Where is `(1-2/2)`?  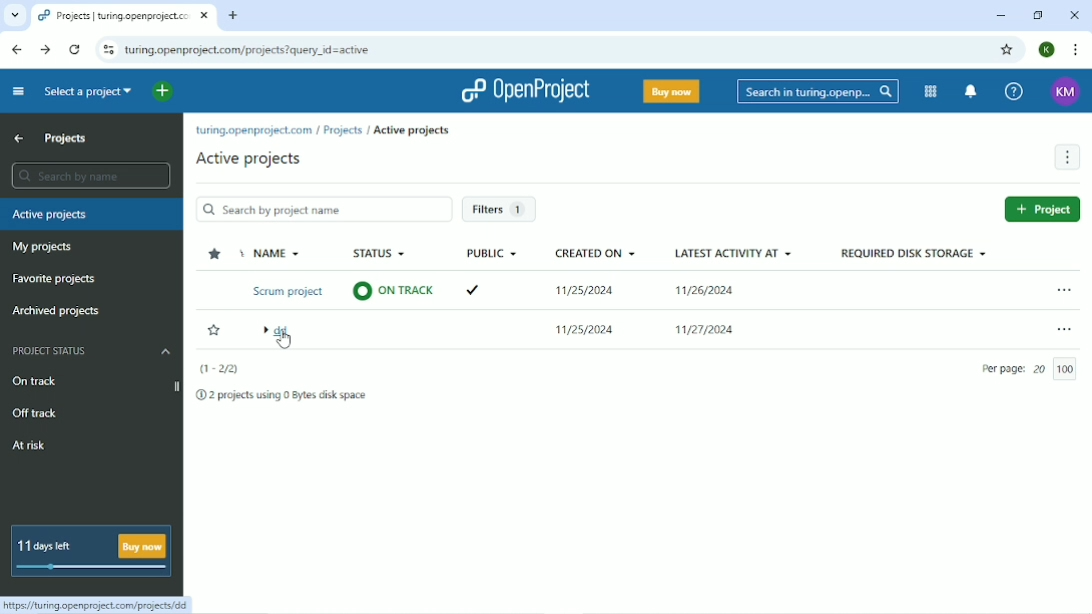 (1-2/2) is located at coordinates (222, 369).